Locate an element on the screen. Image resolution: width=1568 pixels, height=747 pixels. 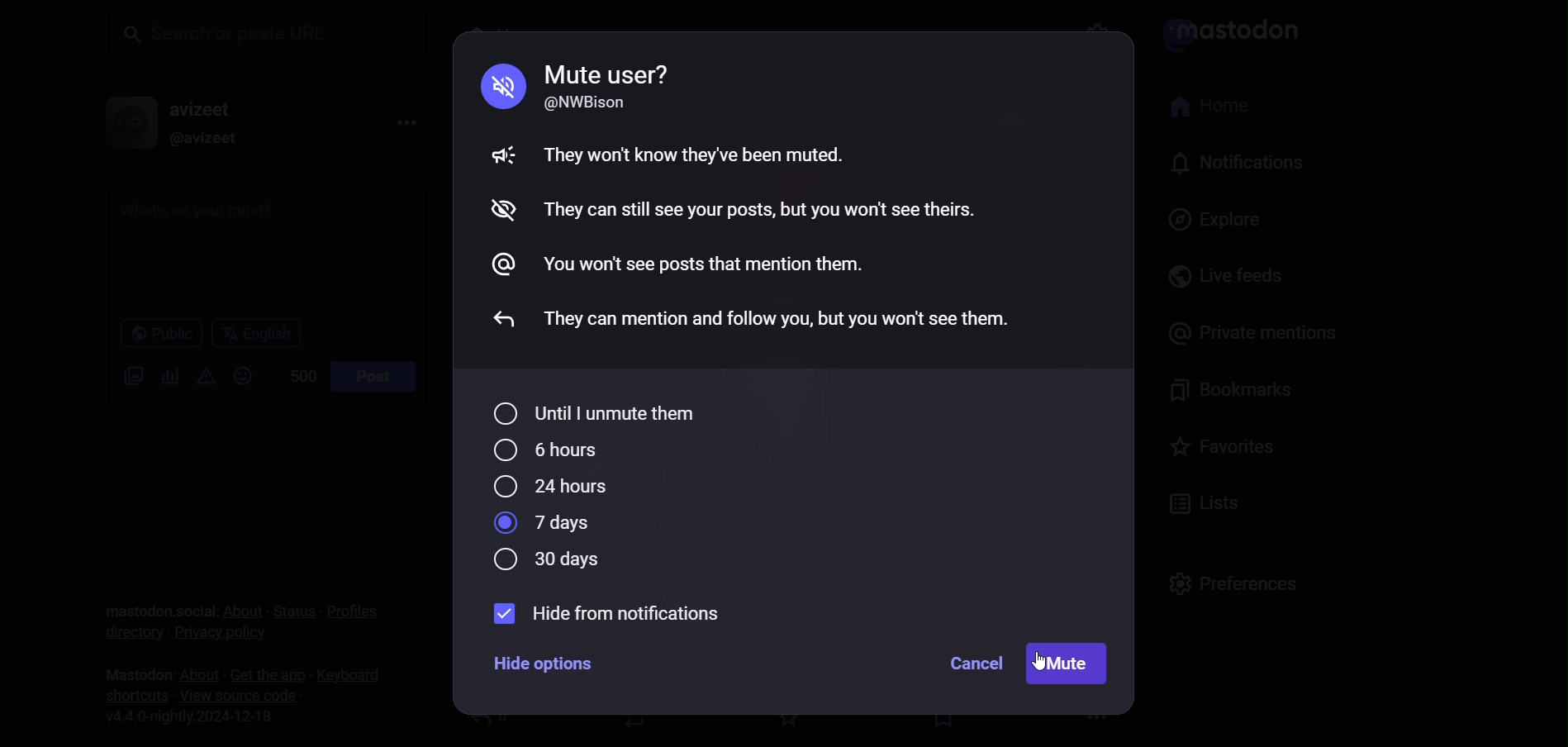
6 hours is located at coordinates (558, 450).